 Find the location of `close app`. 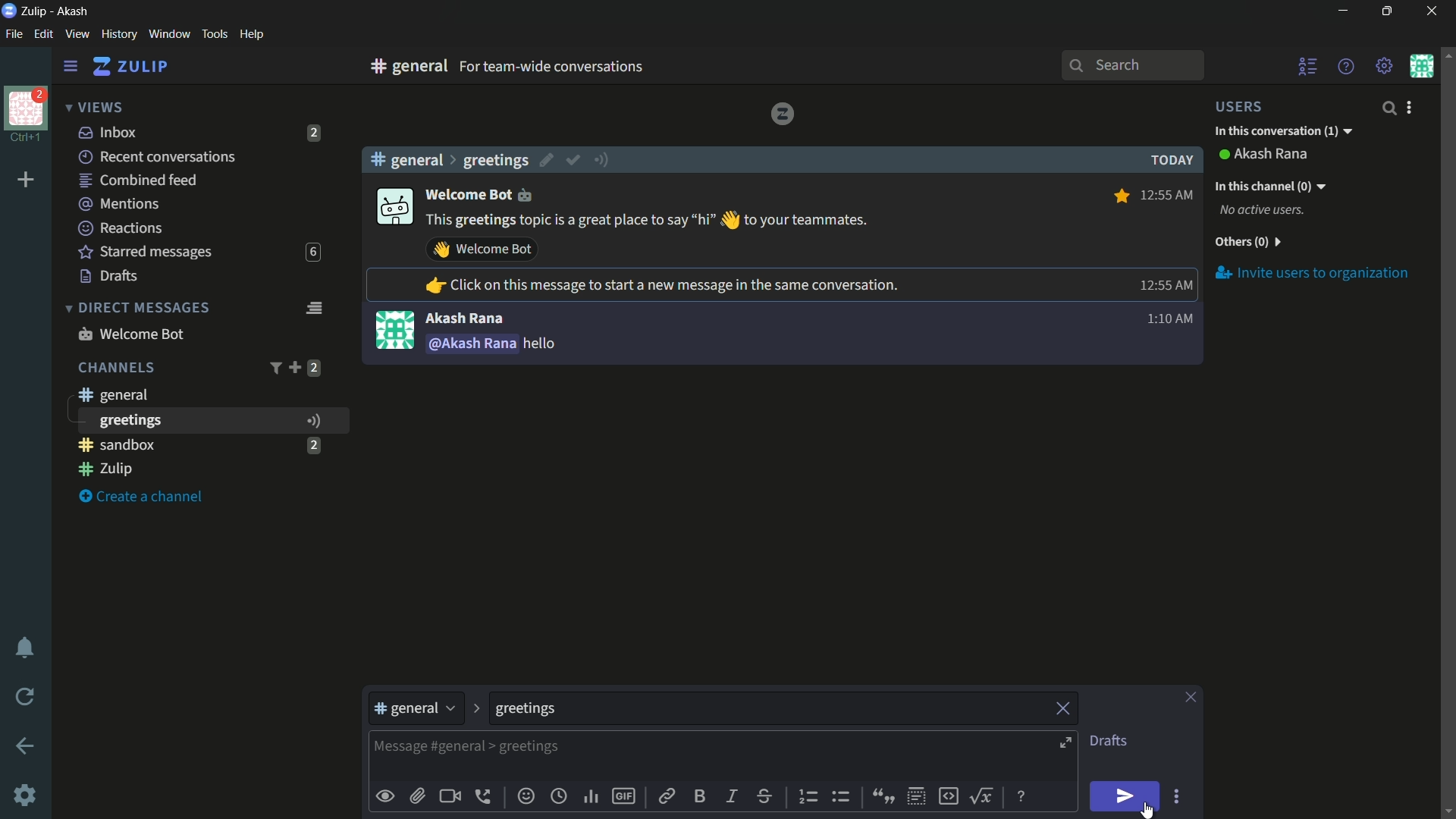

close app is located at coordinates (1429, 11).